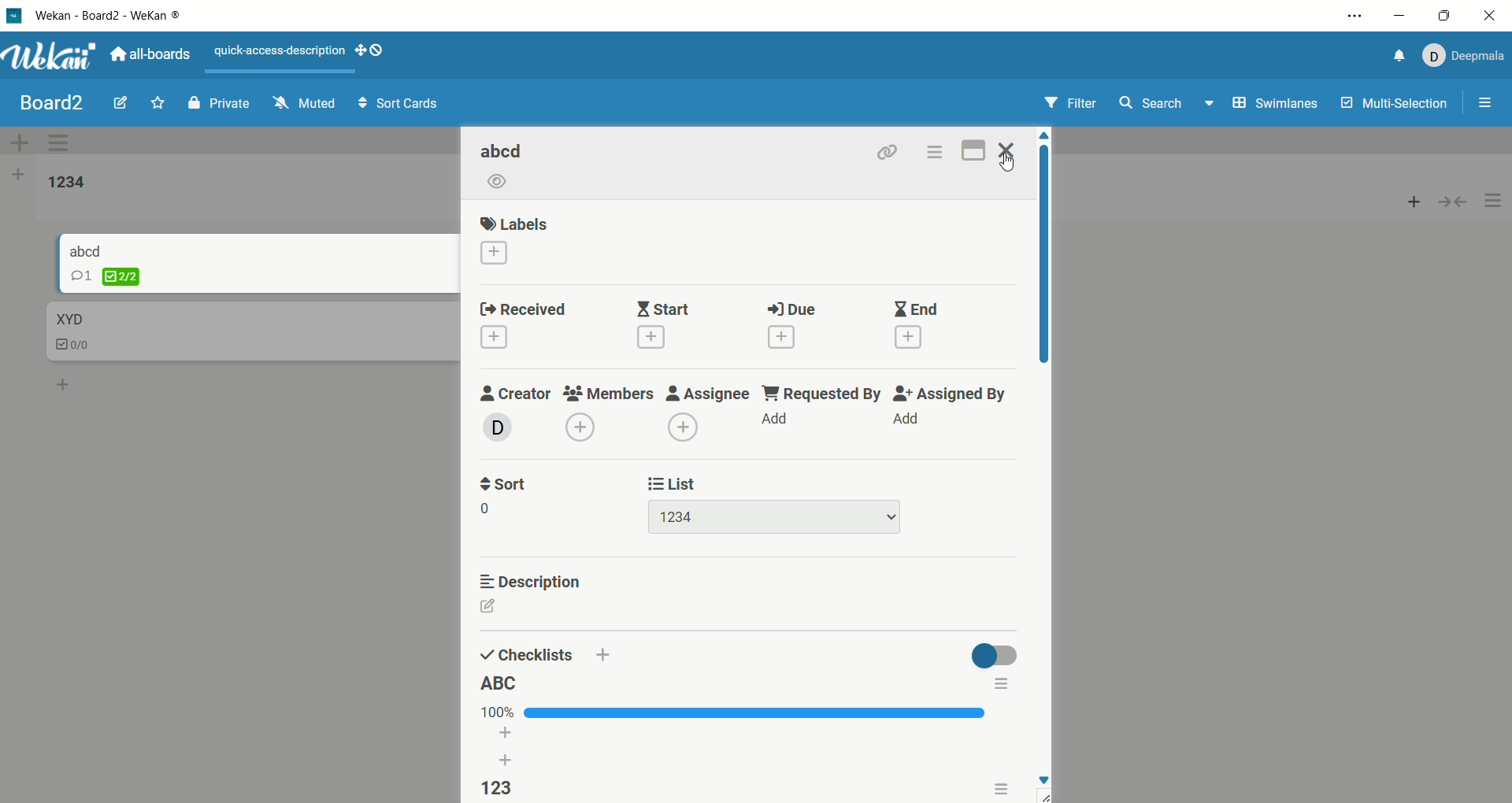 The height and width of the screenshot is (803, 1512). I want to click on notification, so click(1398, 57).